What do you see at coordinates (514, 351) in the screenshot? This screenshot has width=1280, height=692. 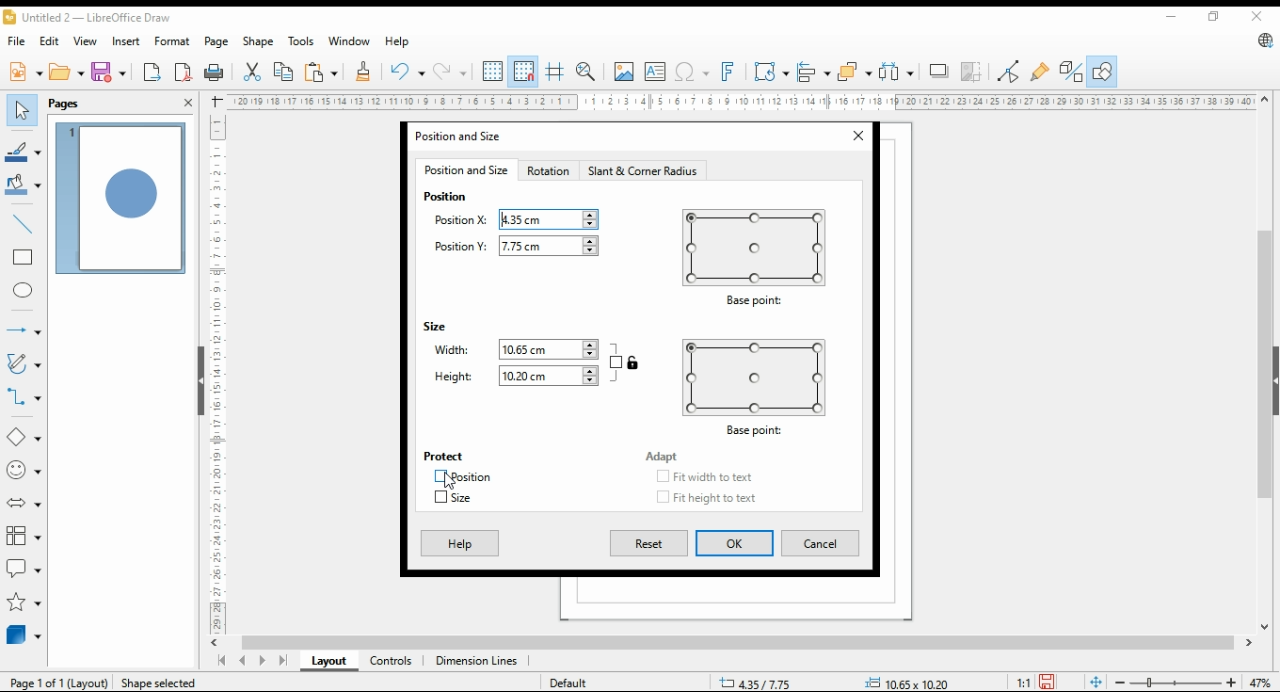 I see `width: 10.65cm` at bounding box center [514, 351].